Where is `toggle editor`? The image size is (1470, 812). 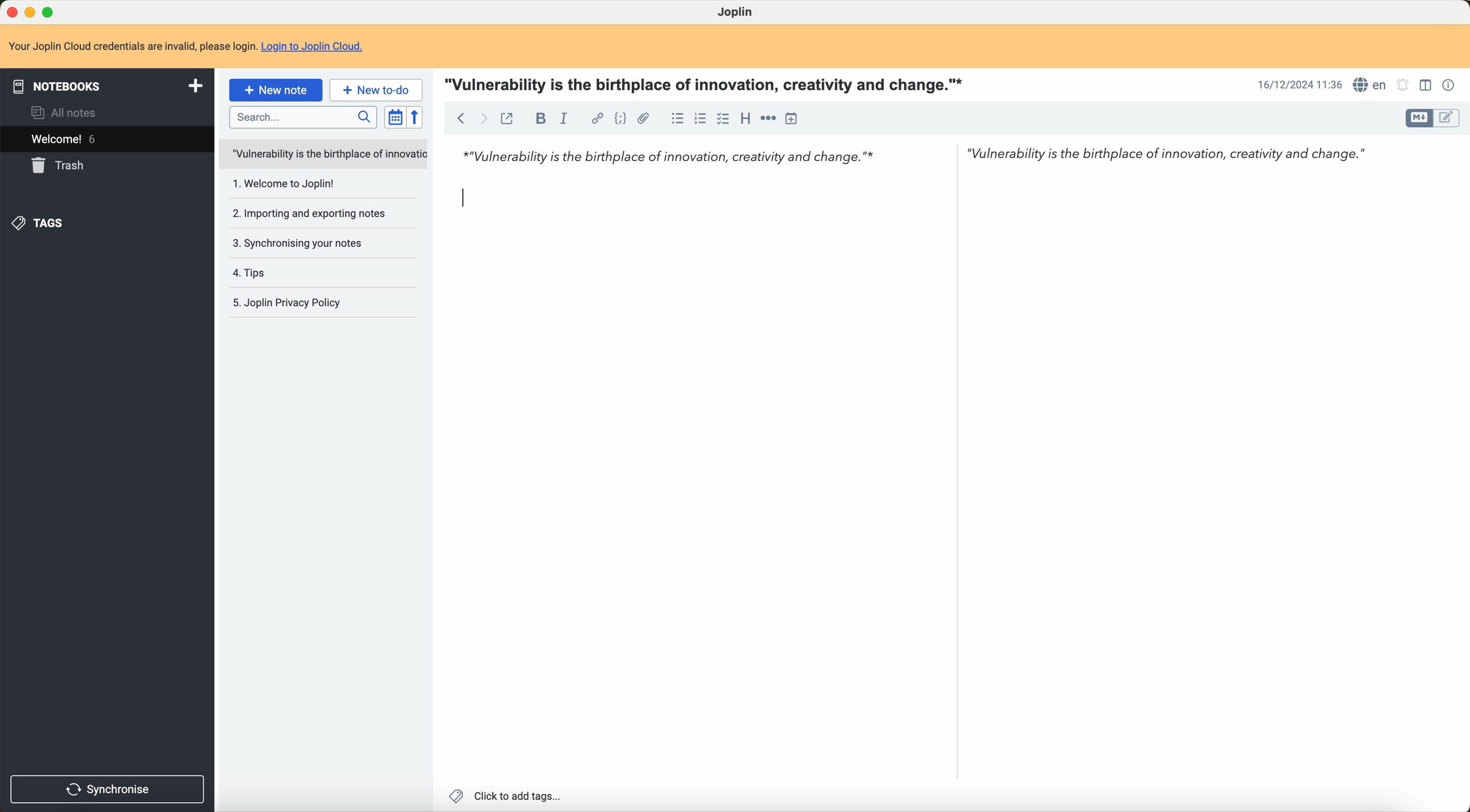 toggle editor is located at coordinates (1416, 118).